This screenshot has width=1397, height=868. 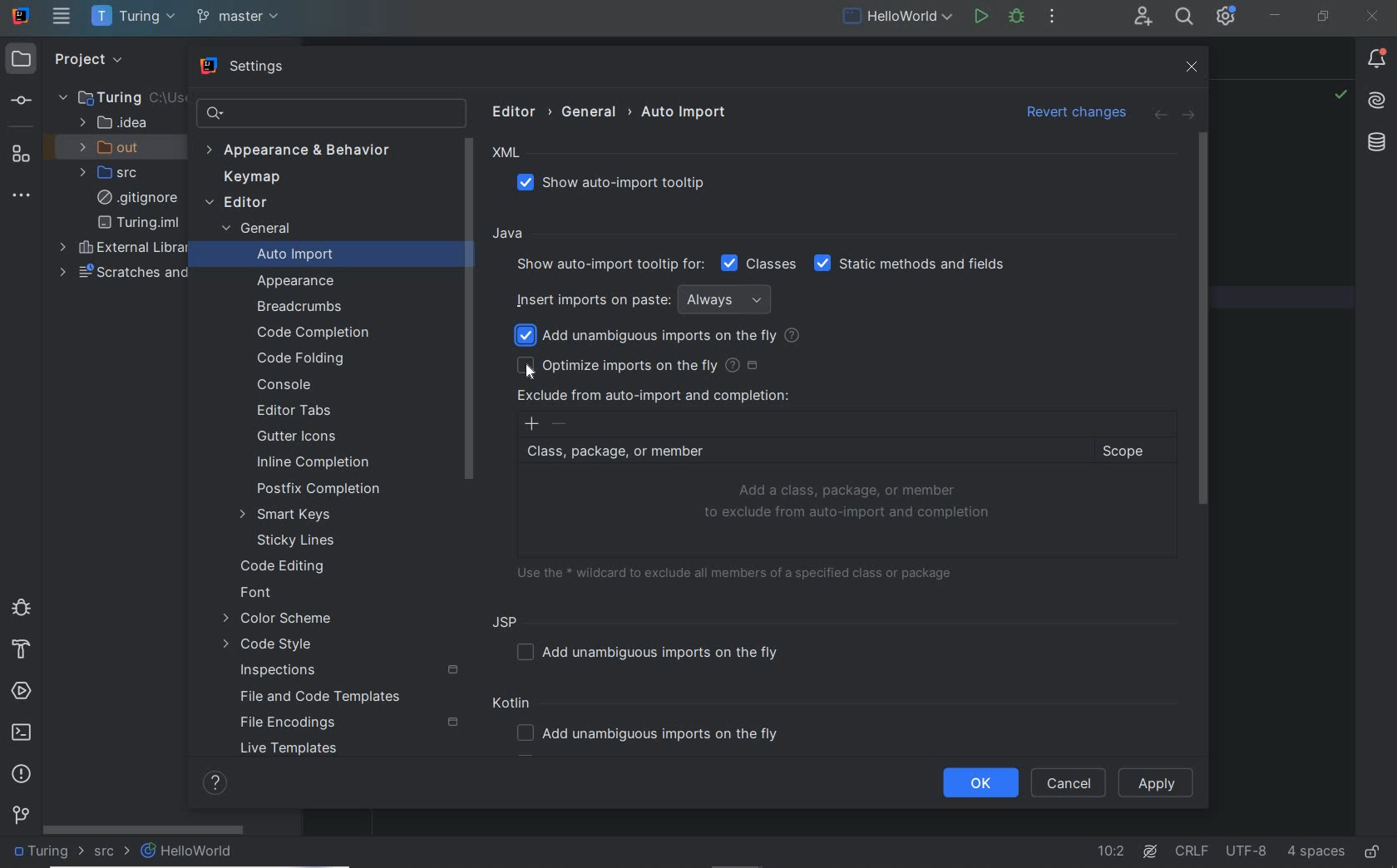 What do you see at coordinates (115, 173) in the screenshot?
I see `src` at bounding box center [115, 173].